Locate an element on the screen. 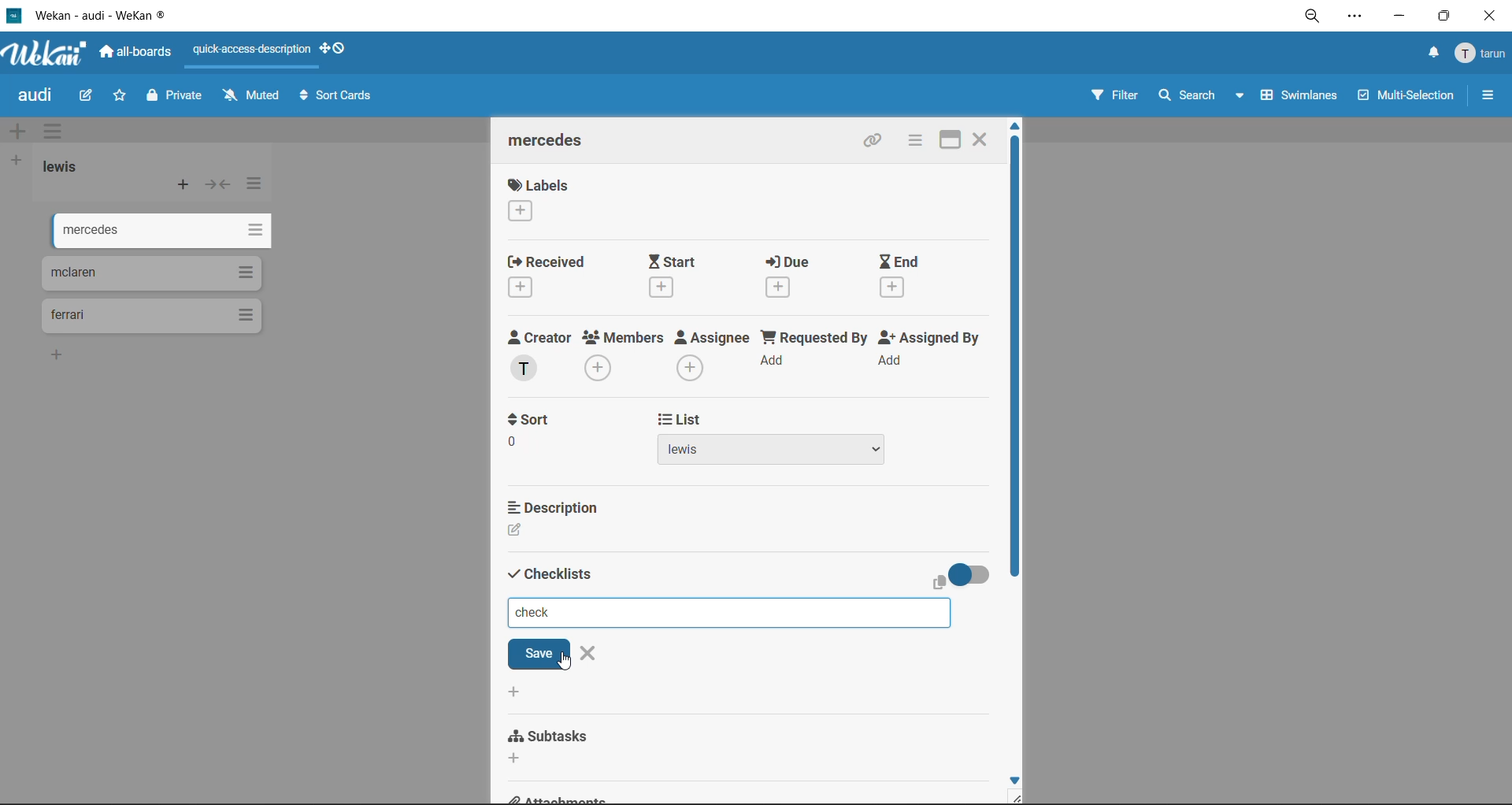 The width and height of the screenshot is (1512, 805). menu is located at coordinates (1482, 54).